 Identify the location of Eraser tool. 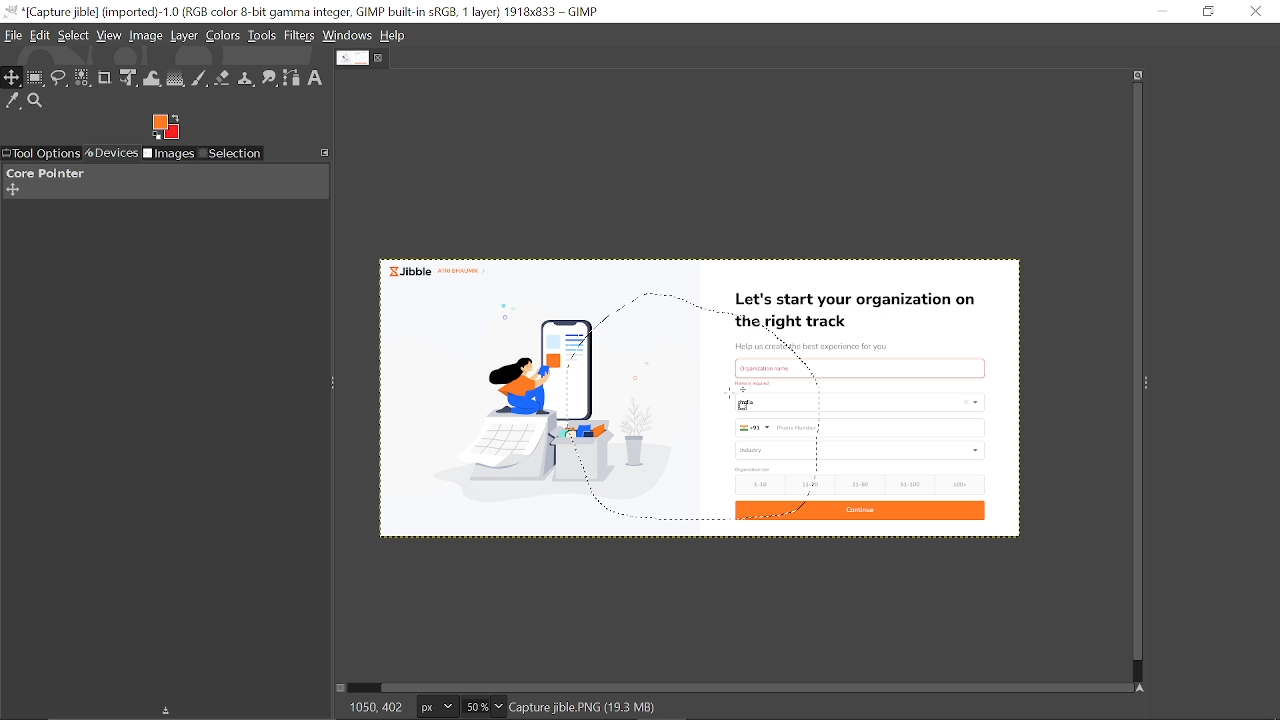
(222, 80).